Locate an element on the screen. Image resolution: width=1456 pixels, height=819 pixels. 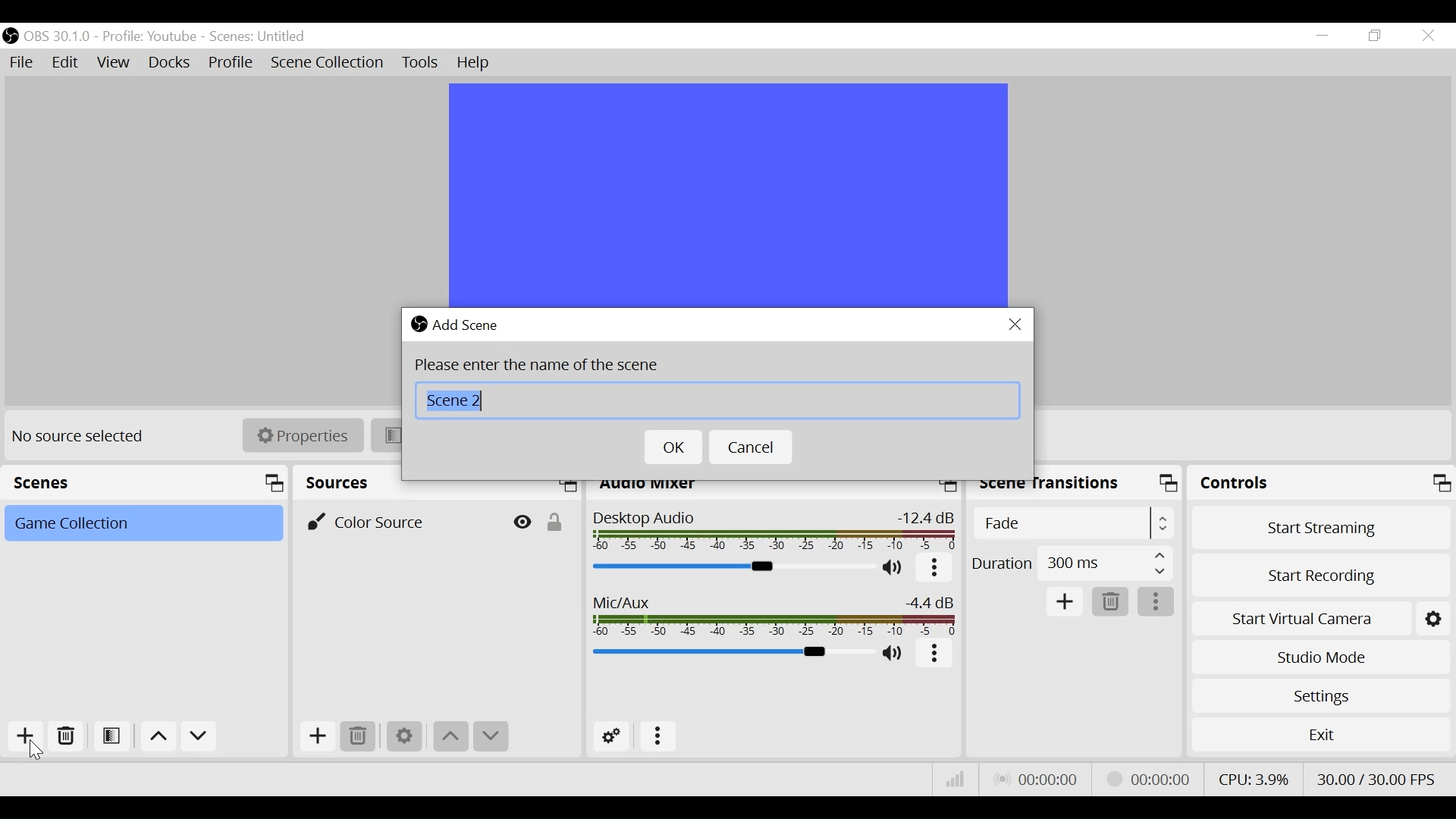
Open Scene Filter is located at coordinates (113, 738).